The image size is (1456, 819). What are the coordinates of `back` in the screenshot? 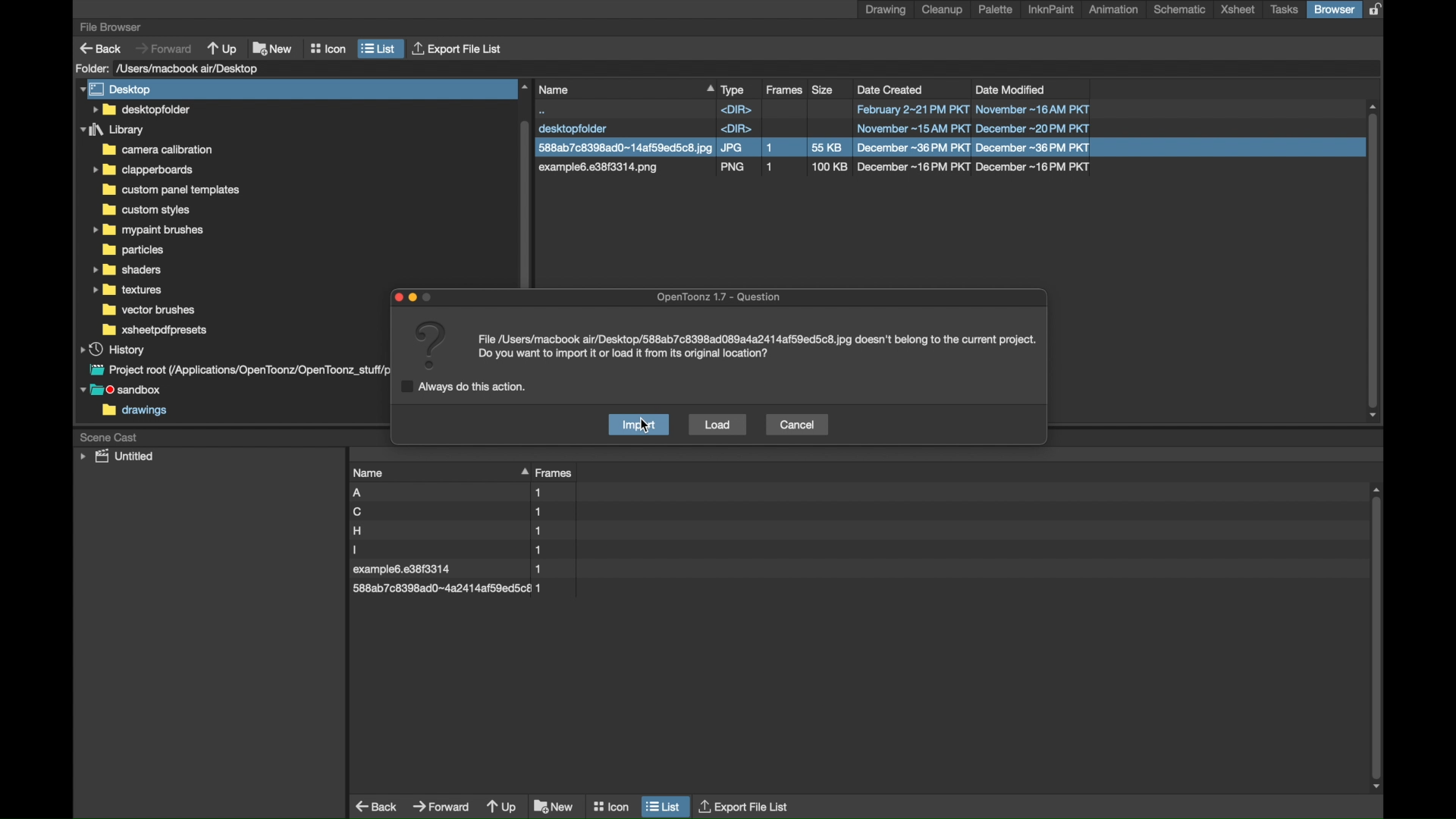 It's located at (378, 806).